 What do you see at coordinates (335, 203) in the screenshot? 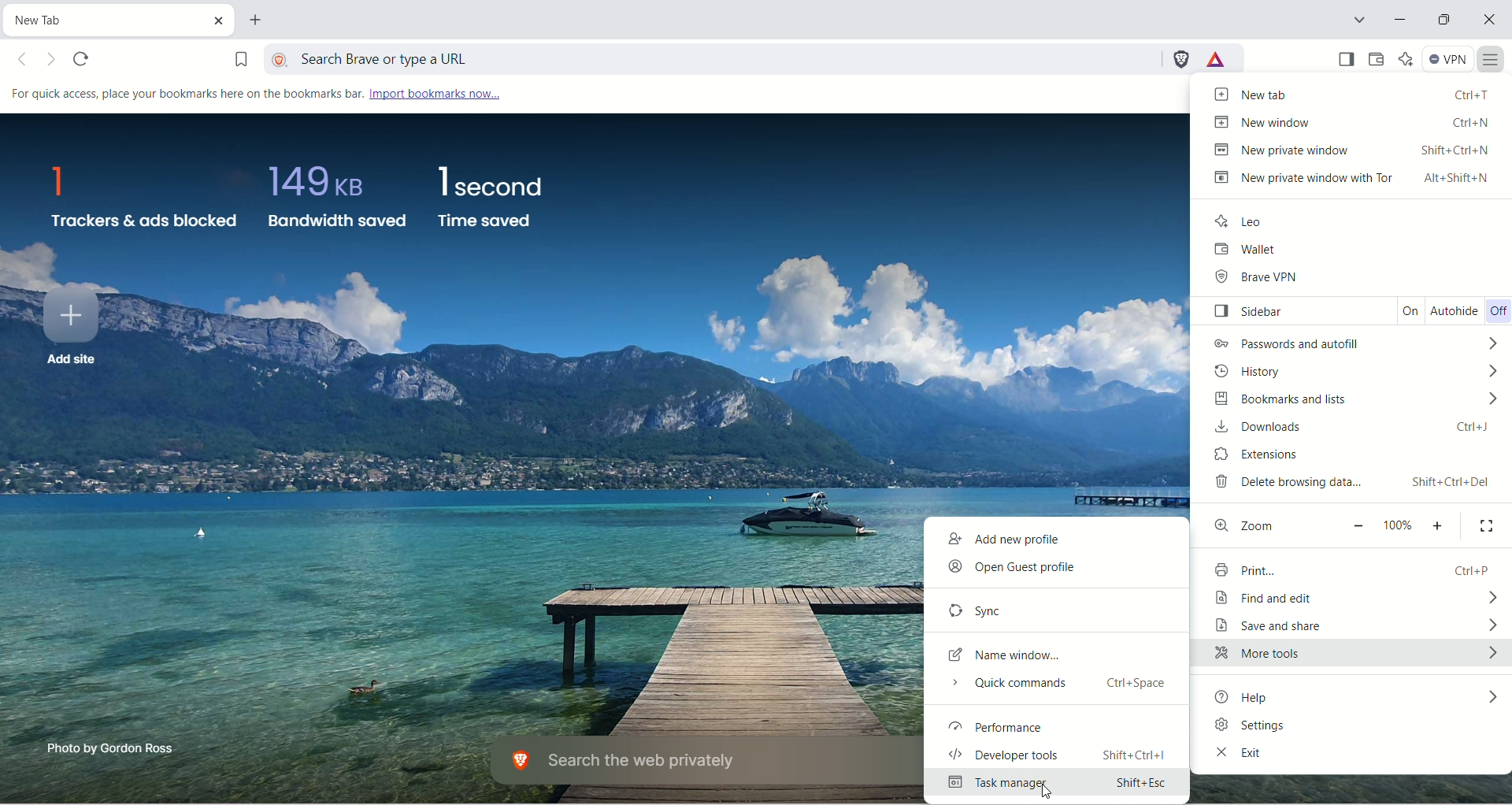
I see `bandwidth saved` at bounding box center [335, 203].